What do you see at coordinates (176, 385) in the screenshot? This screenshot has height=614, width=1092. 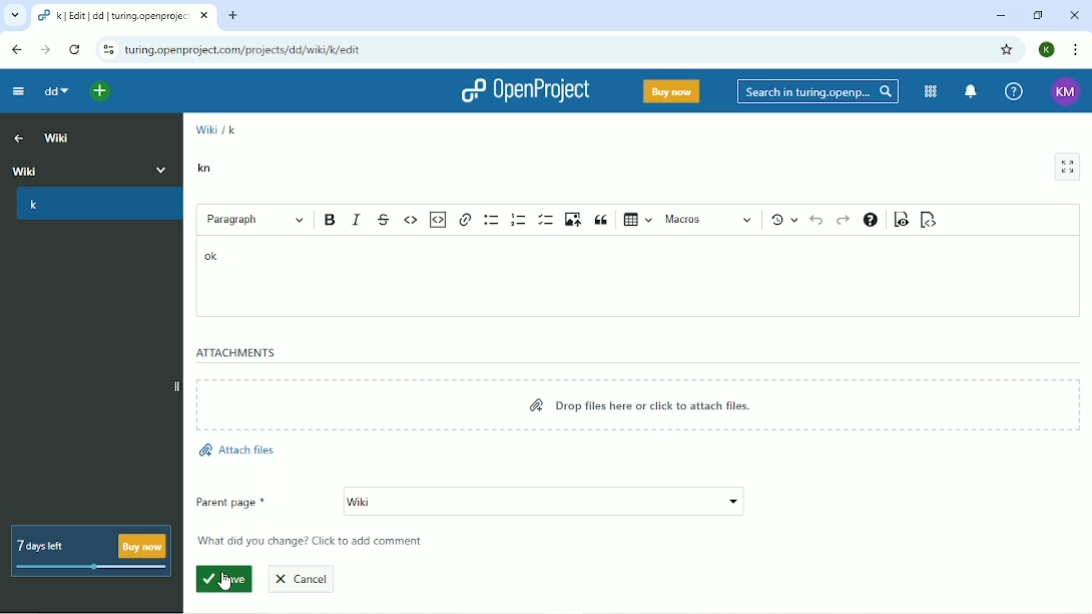 I see `Expand` at bounding box center [176, 385].